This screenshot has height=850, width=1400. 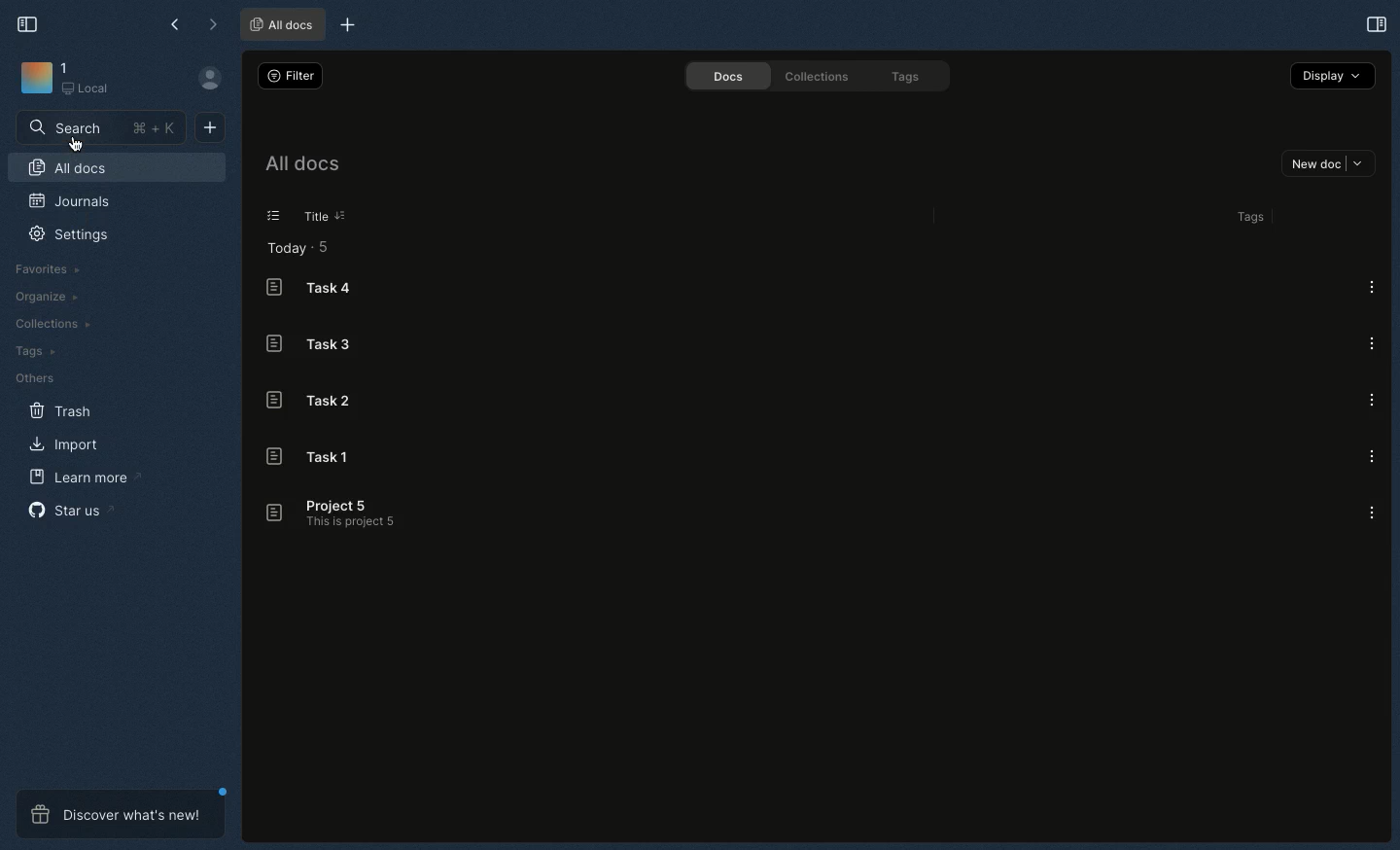 What do you see at coordinates (1375, 454) in the screenshot?
I see `Options` at bounding box center [1375, 454].